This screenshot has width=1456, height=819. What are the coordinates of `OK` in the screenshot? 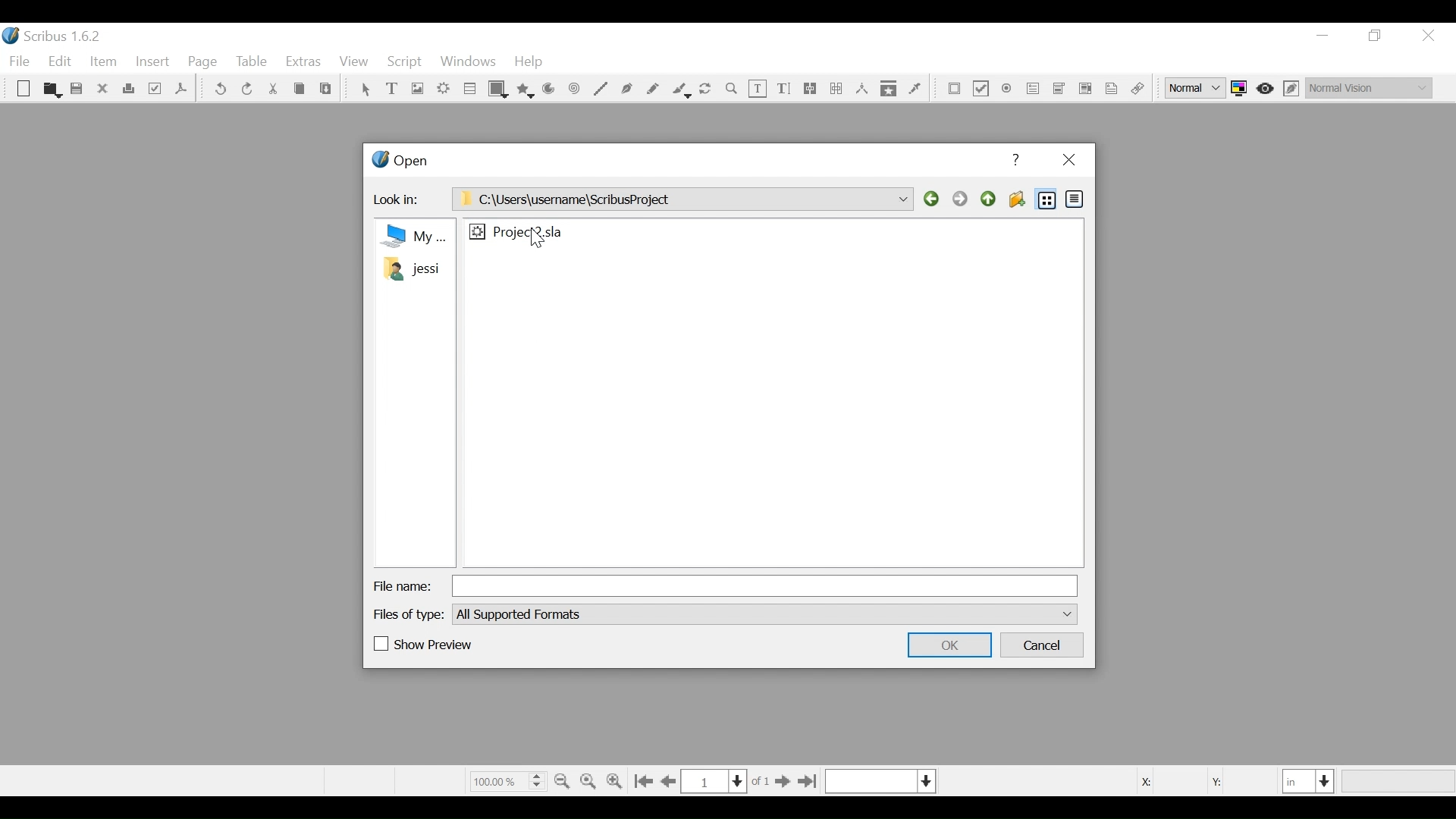 It's located at (947, 645).